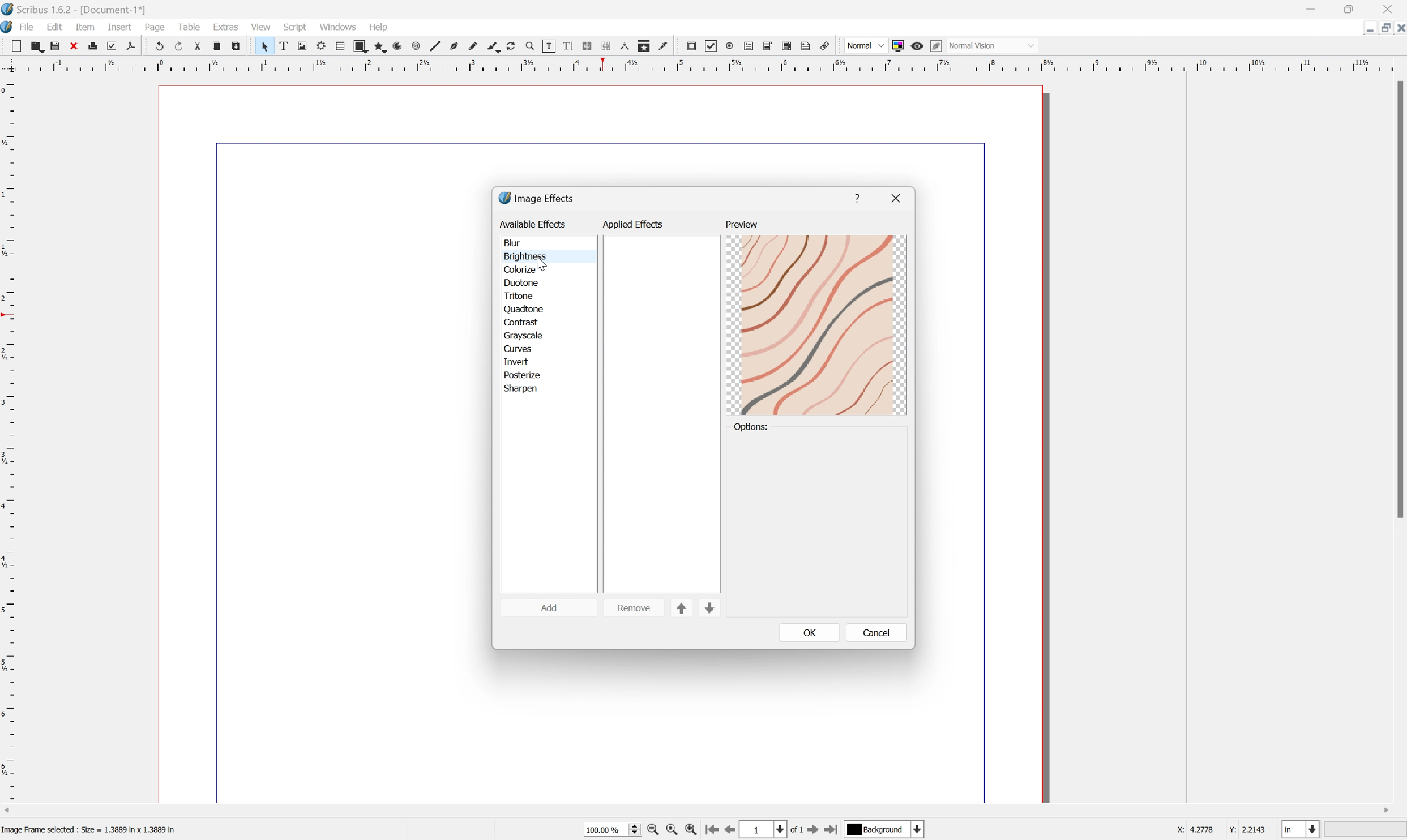 This screenshot has width=1407, height=840. I want to click on Horizontal Margin, so click(702, 68).